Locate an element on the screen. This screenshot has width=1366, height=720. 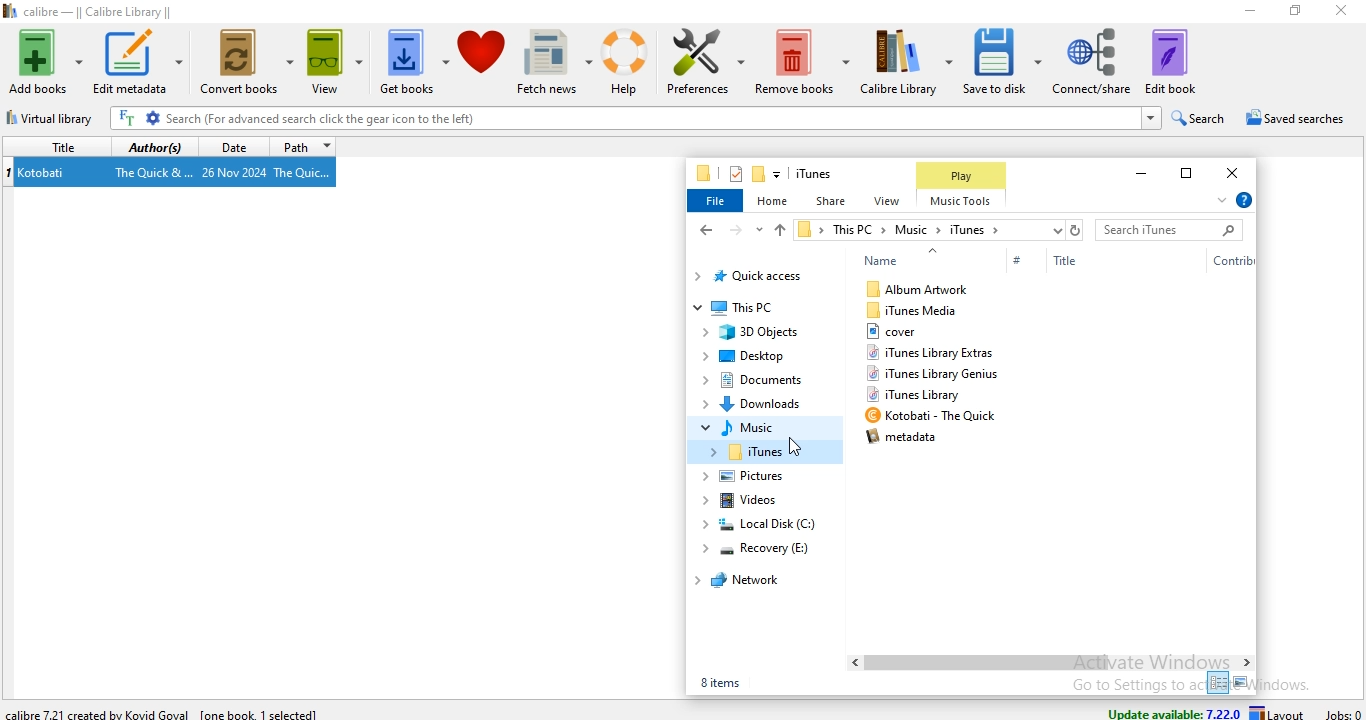
calibre - || Calibre Library || is located at coordinates (97, 10).